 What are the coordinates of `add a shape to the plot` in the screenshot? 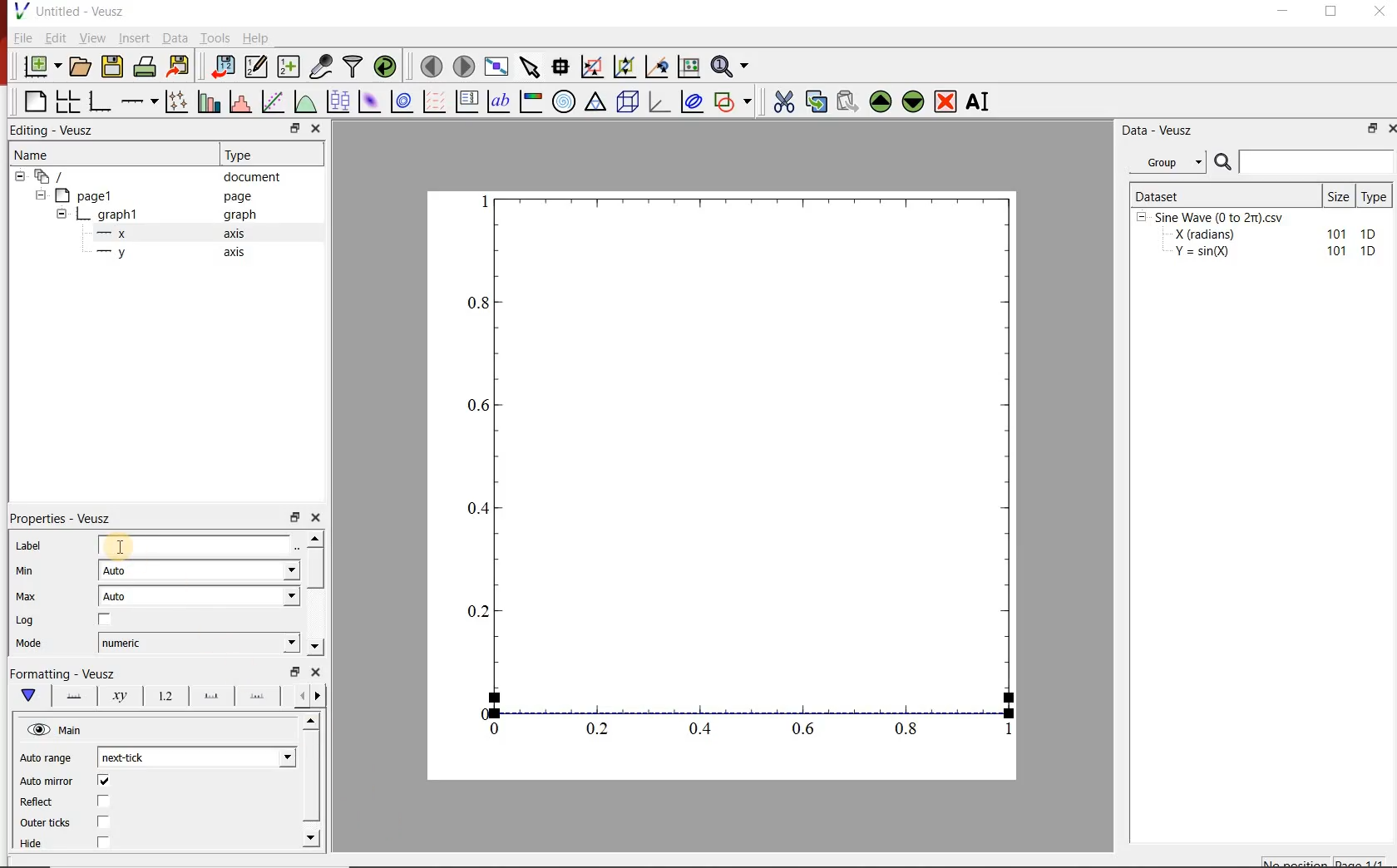 It's located at (736, 101).